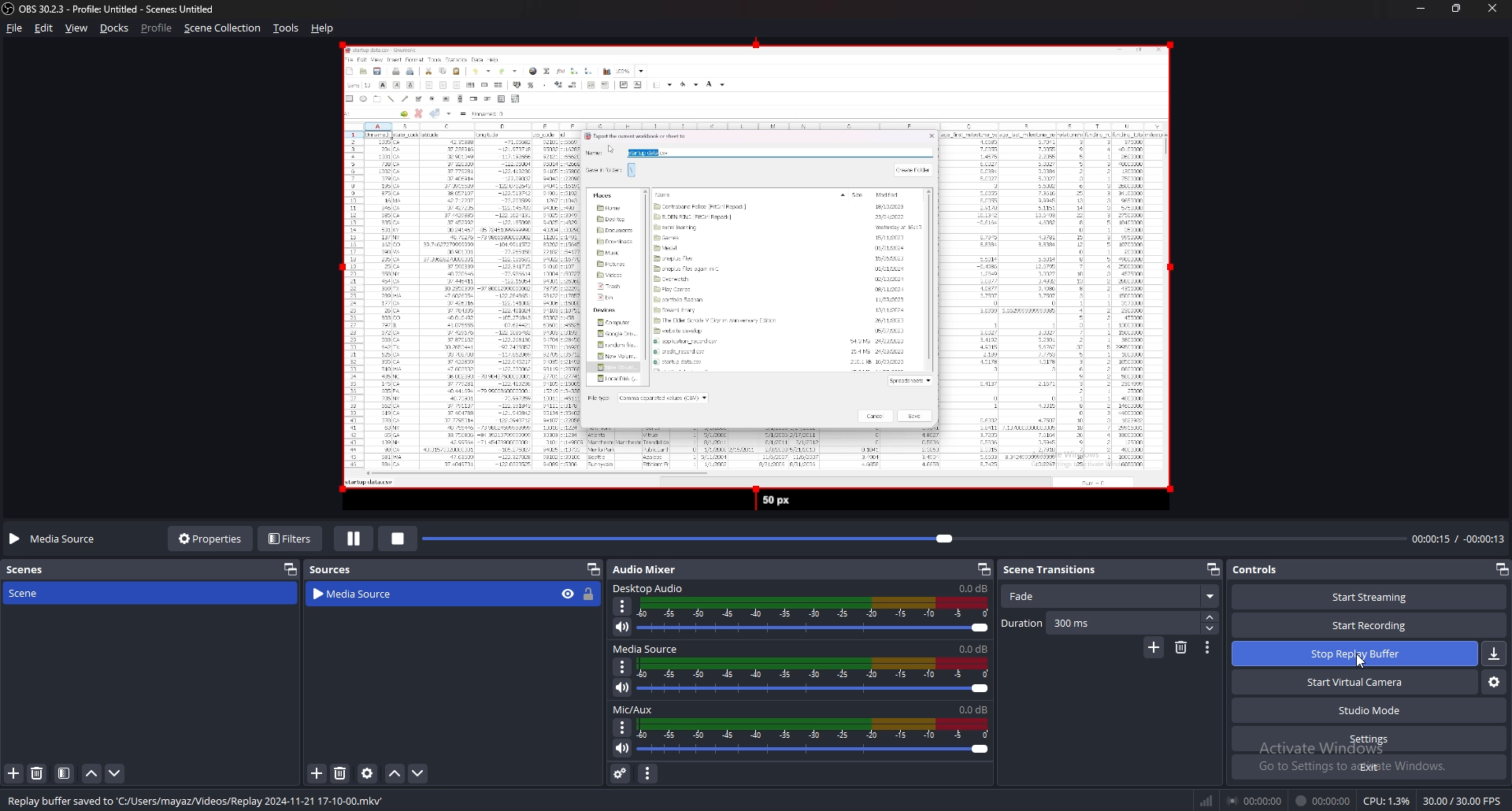 The image size is (1512, 811). What do you see at coordinates (1324, 801) in the screenshot?
I see `00:00:00` at bounding box center [1324, 801].